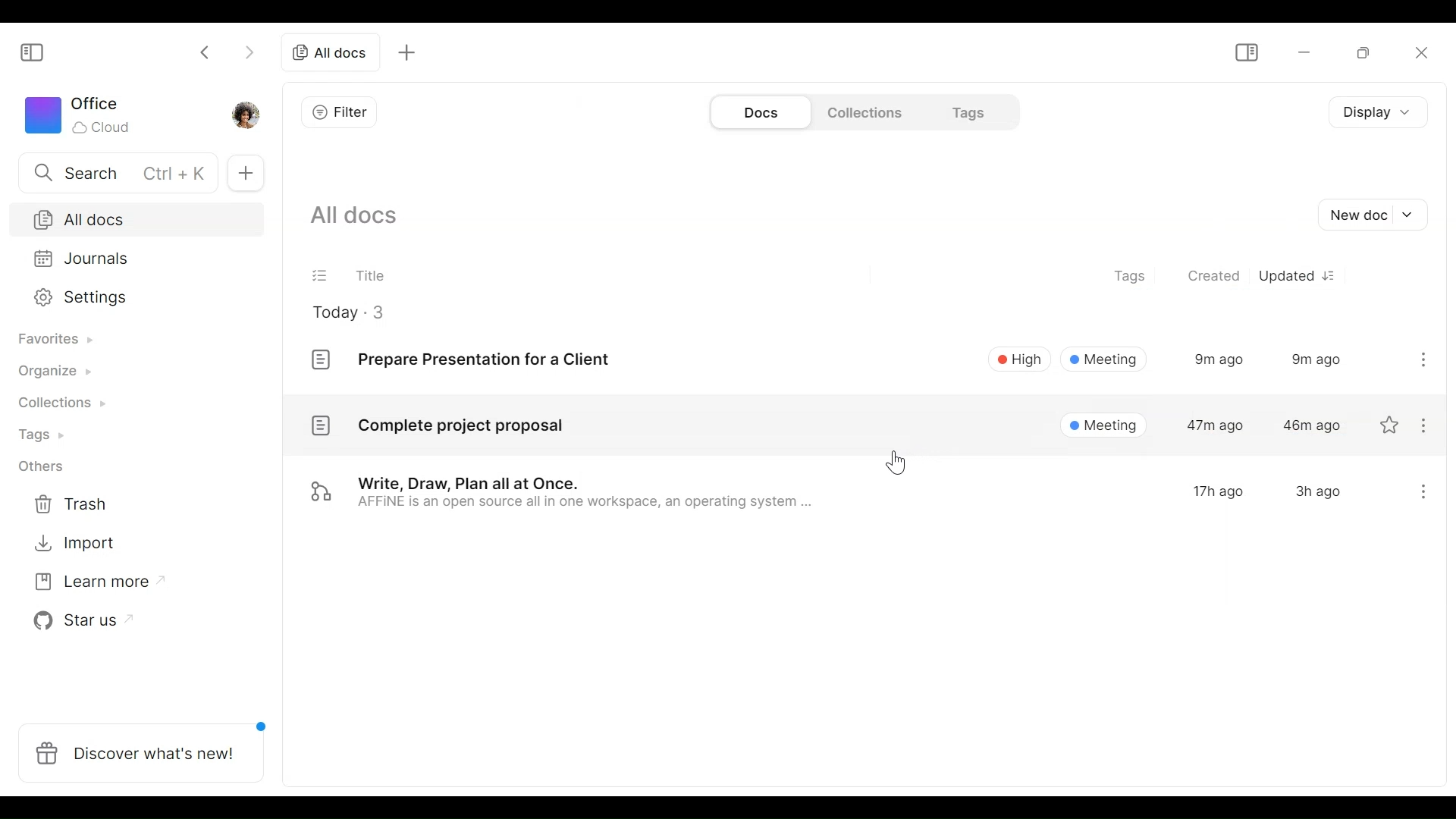 This screenshot has width=1456, height=819. What do you see at coordinates (1130, 277) in the screenshot?
I see `Tags` at bounding box center [1130, 277].